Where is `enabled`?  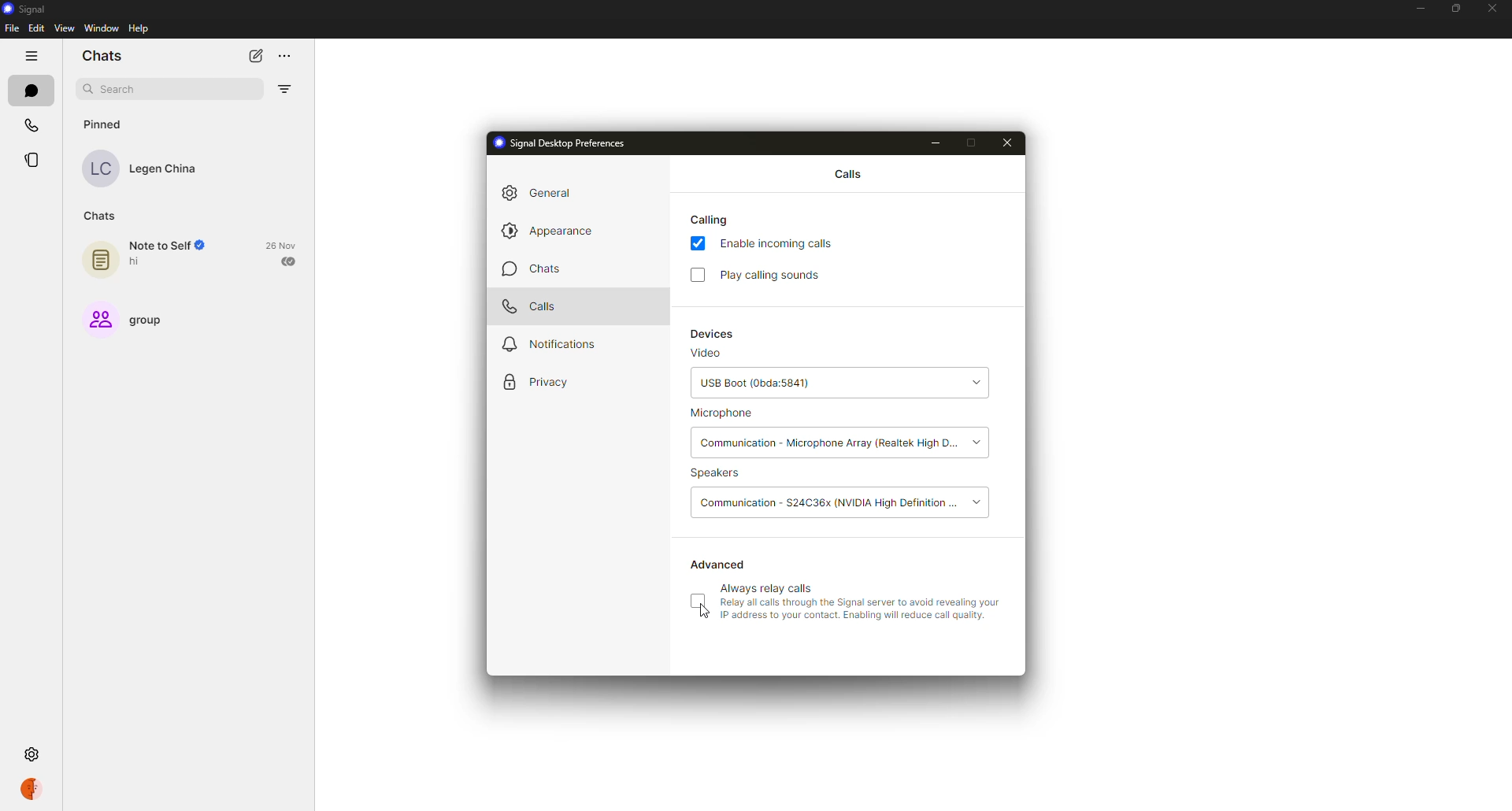
enabled is located at coordinates (698, 245).